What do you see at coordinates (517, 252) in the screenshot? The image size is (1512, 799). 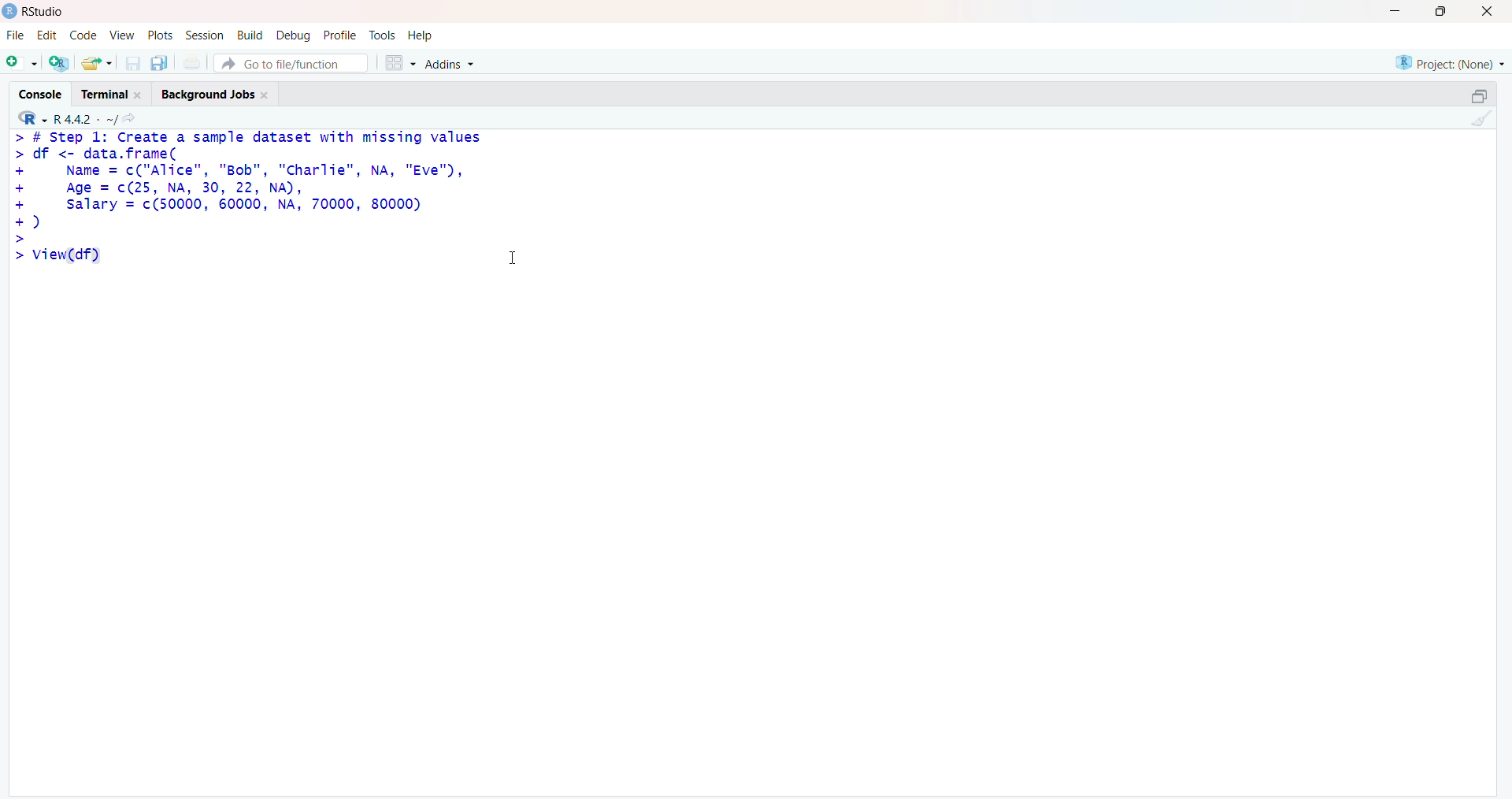 I see `Text cursor` at bounding box center [517, 252].